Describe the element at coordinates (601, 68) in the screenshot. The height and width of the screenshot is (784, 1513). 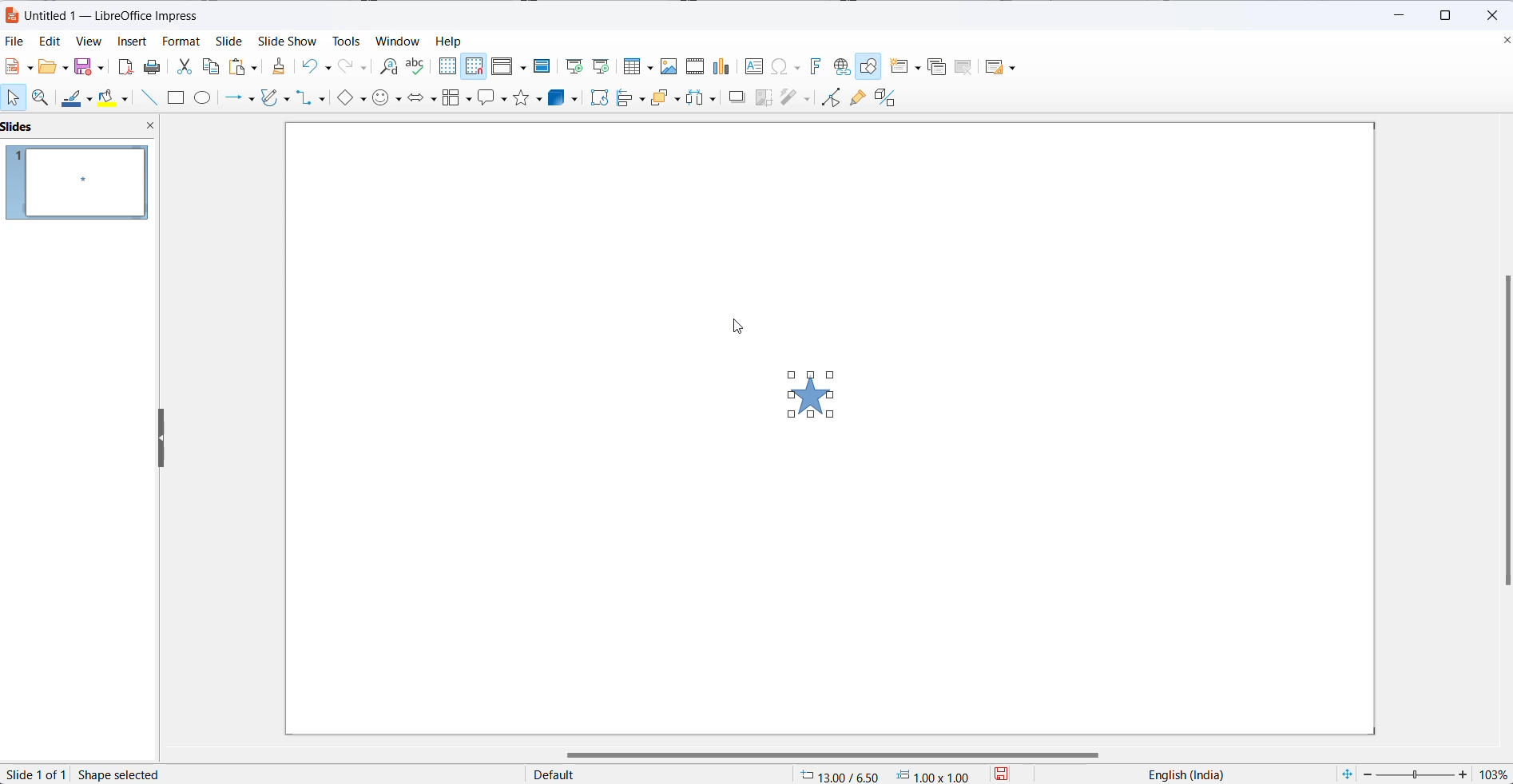
I see `start from current slide` at that location.